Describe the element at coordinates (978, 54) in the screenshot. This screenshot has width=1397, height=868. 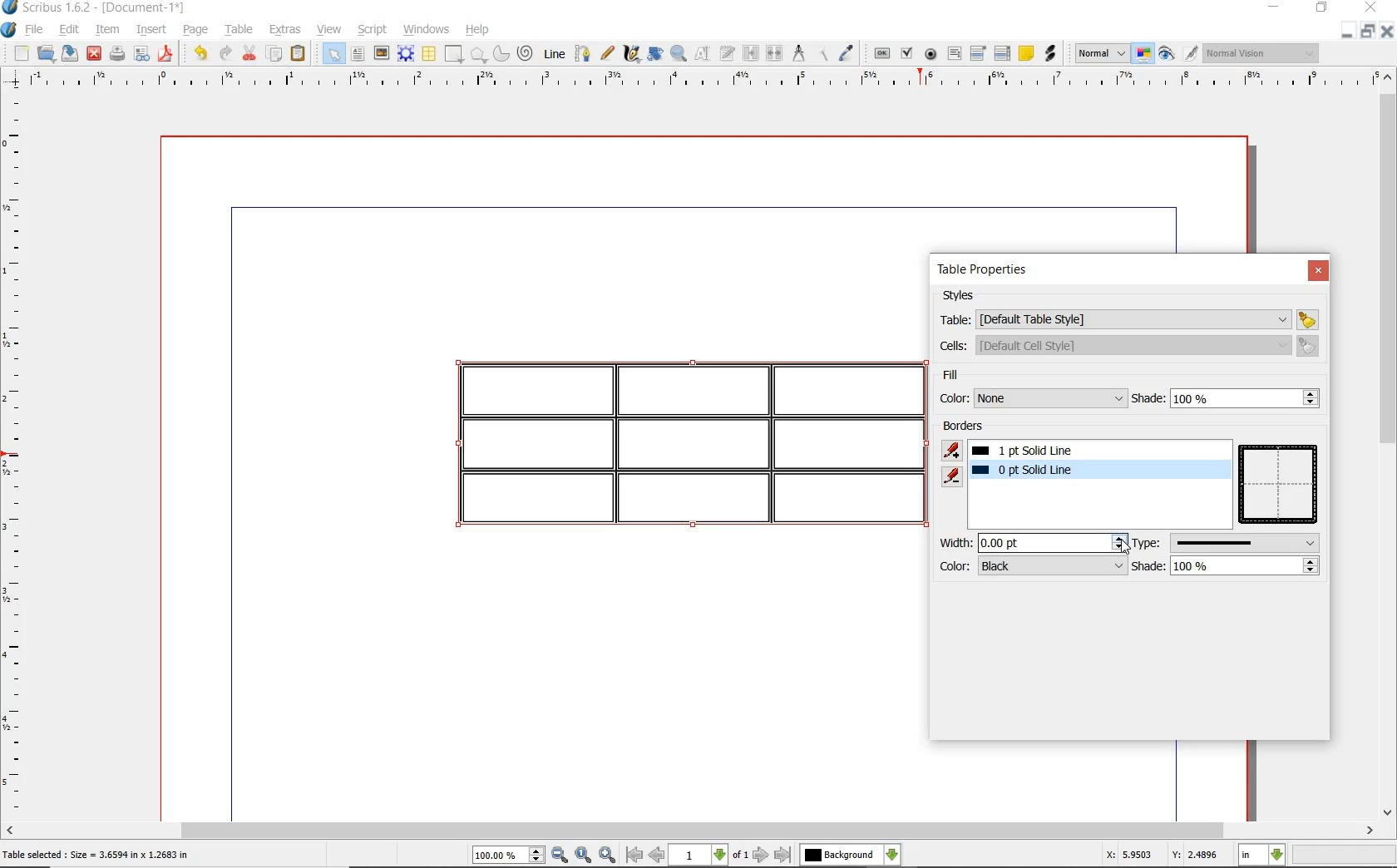
I see `pdf combo box` at that location.